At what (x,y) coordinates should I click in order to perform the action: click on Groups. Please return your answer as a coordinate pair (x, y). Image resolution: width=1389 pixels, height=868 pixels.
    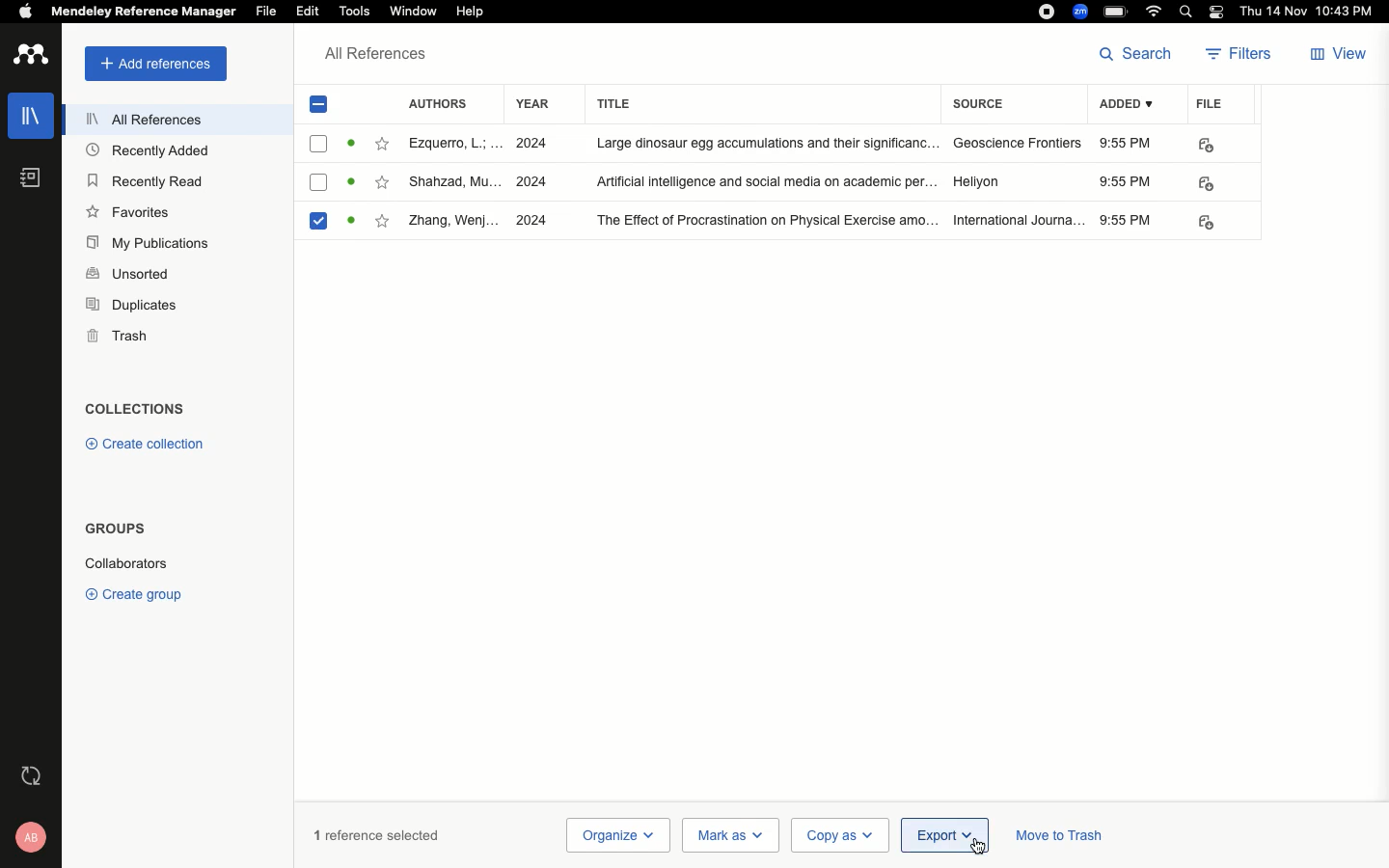
    Looking at the image, I should click on (114, 529).